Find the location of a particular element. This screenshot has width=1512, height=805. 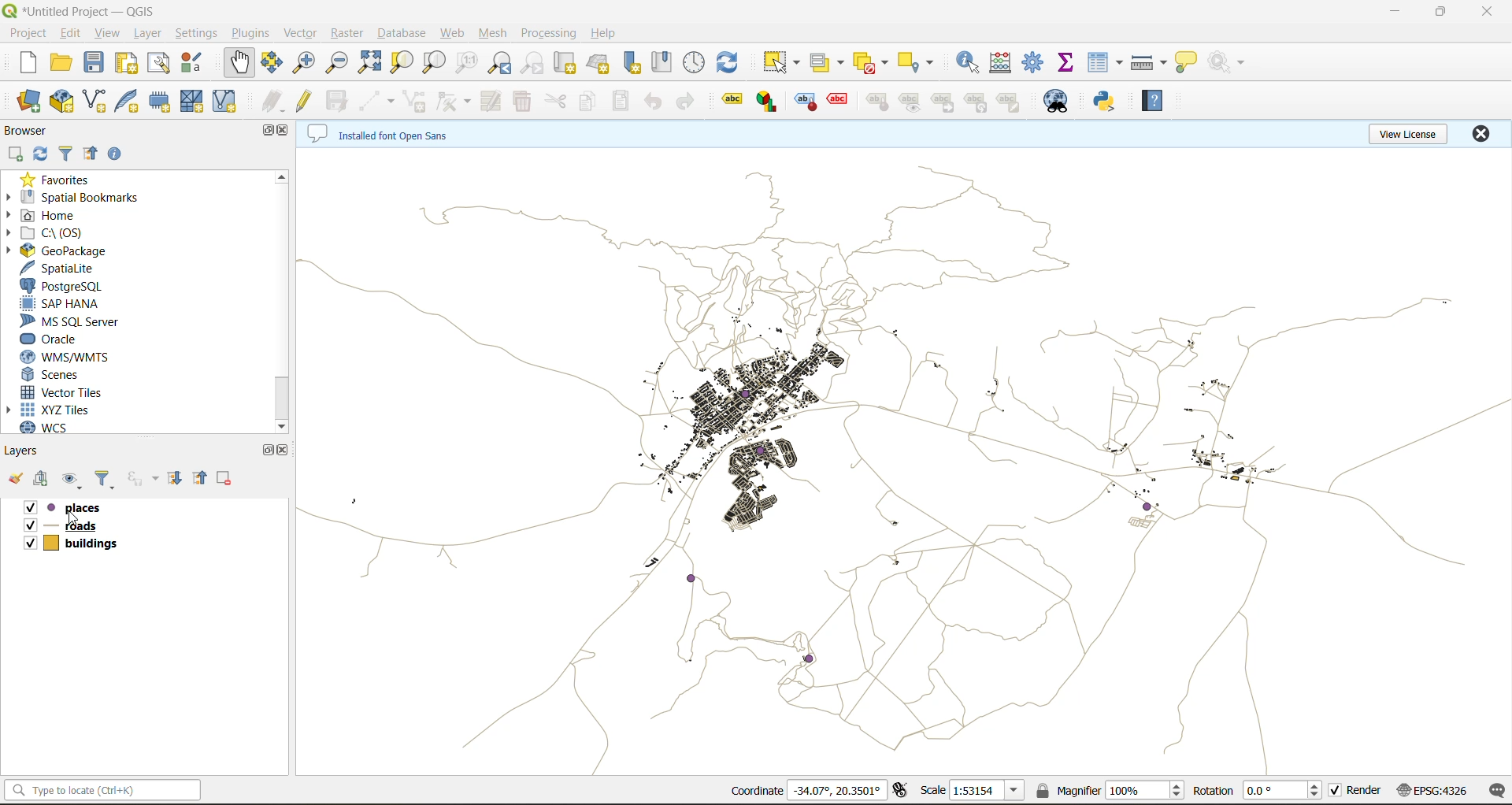

render is located at coordinates (1354, 791).